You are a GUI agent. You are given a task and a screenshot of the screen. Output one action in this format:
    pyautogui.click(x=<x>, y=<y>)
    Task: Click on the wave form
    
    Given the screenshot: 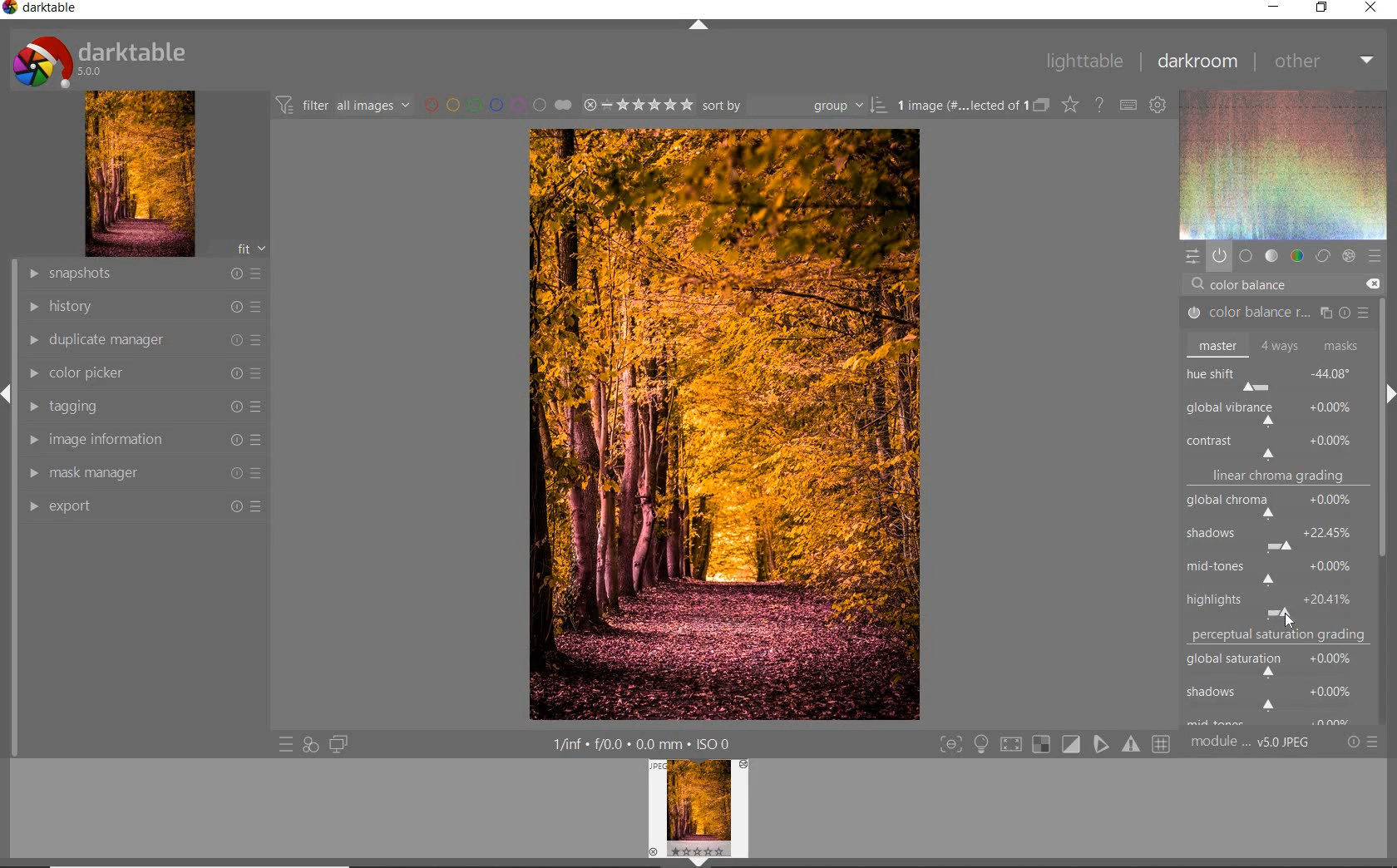 What is the action you would take?
    pyautogui.click(x=1282, y=165)
    